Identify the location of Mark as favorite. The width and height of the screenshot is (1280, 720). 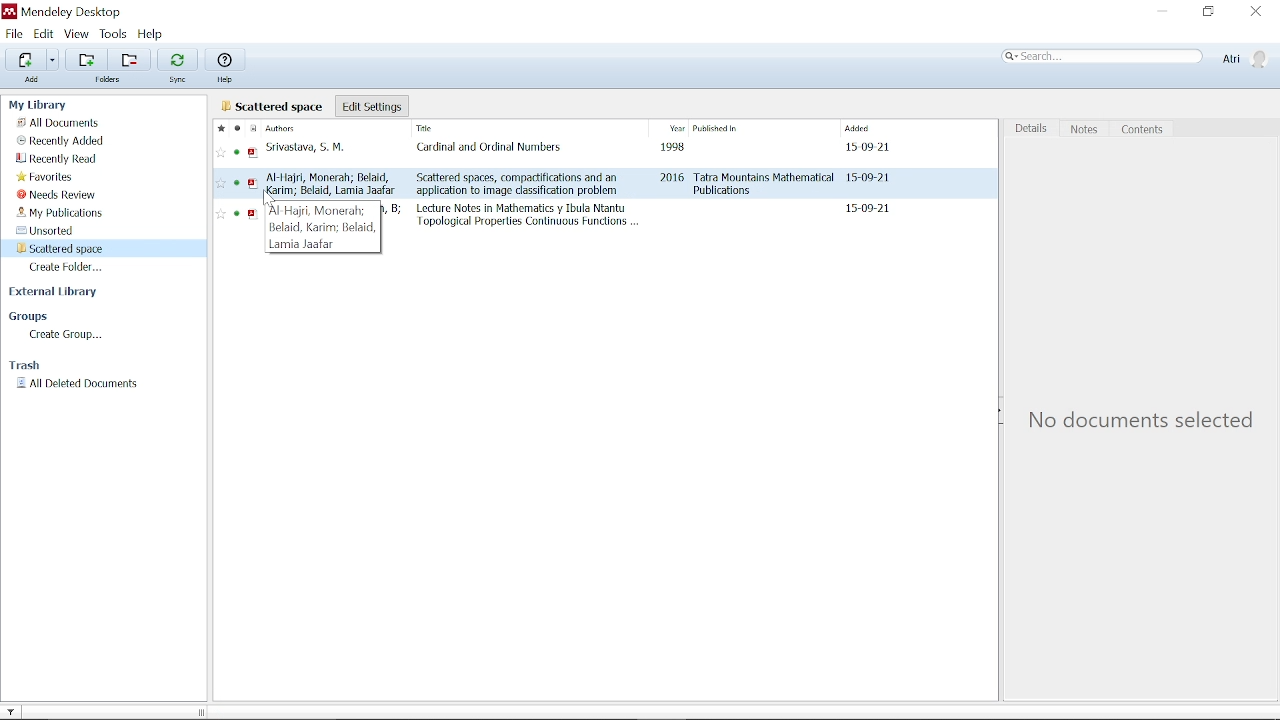
(219, 128).